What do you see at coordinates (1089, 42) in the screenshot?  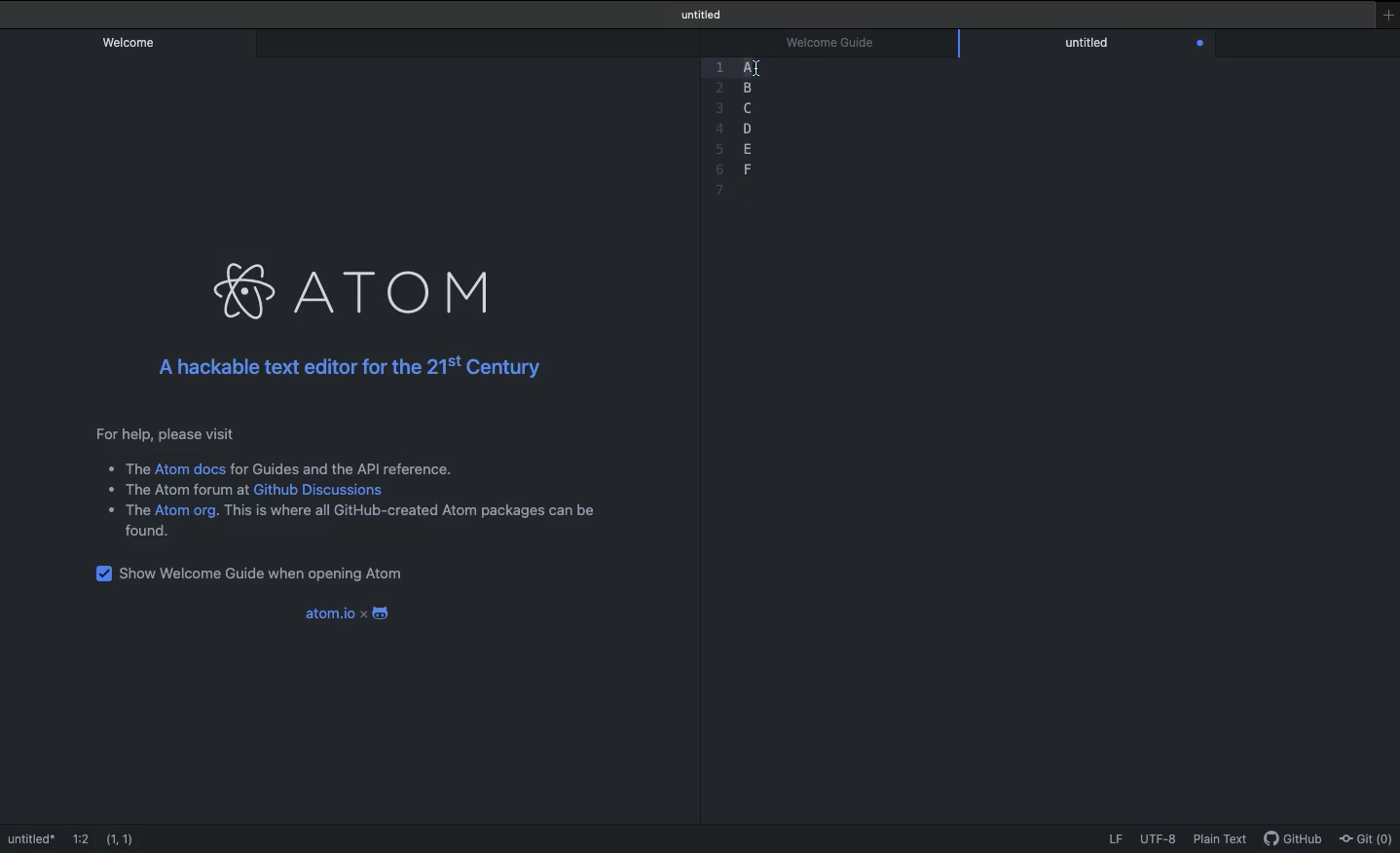 I see `Editor` at bounding box center [1089, 42].